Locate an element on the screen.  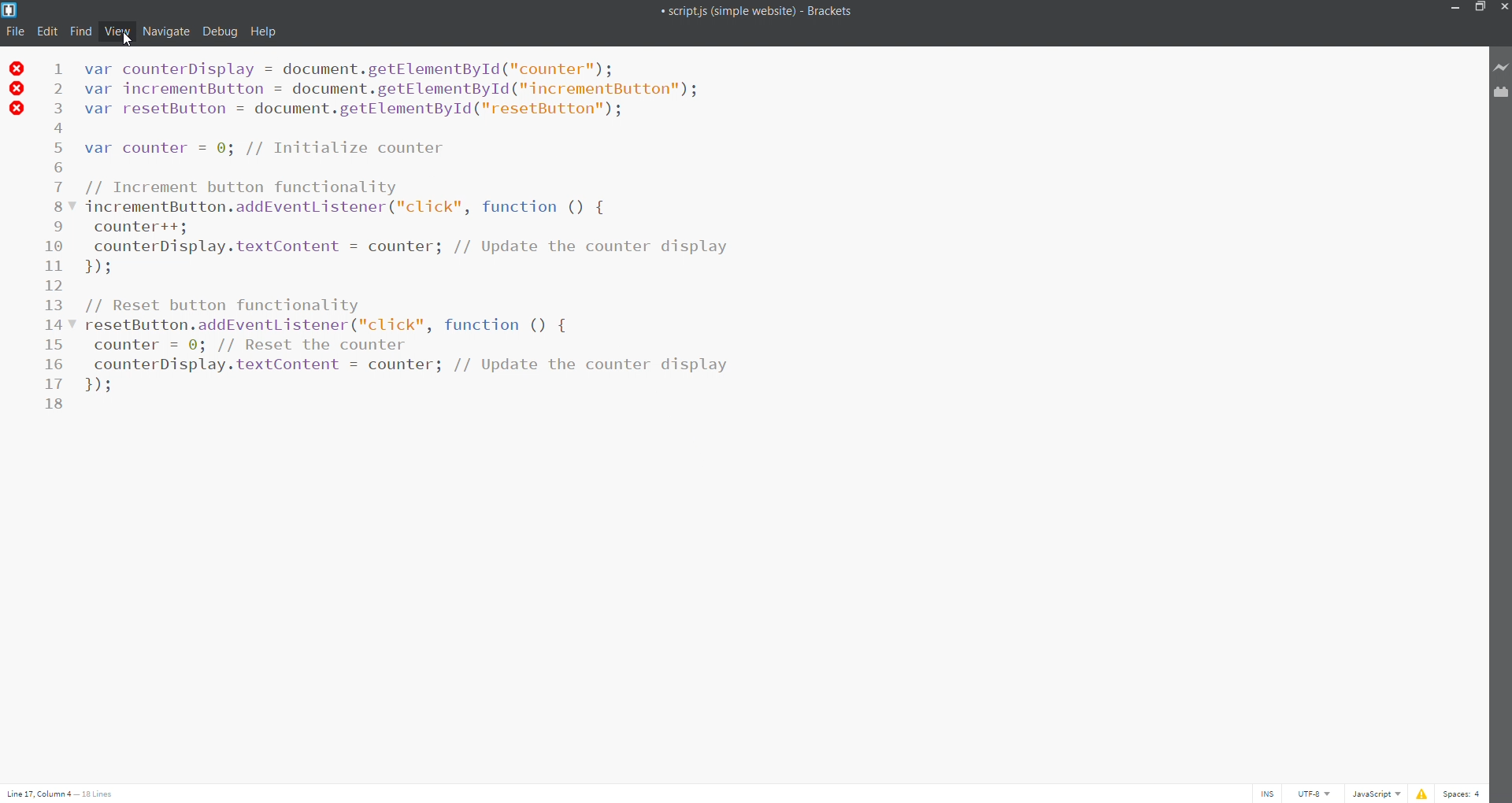
view is located at coordinates (117, 29).